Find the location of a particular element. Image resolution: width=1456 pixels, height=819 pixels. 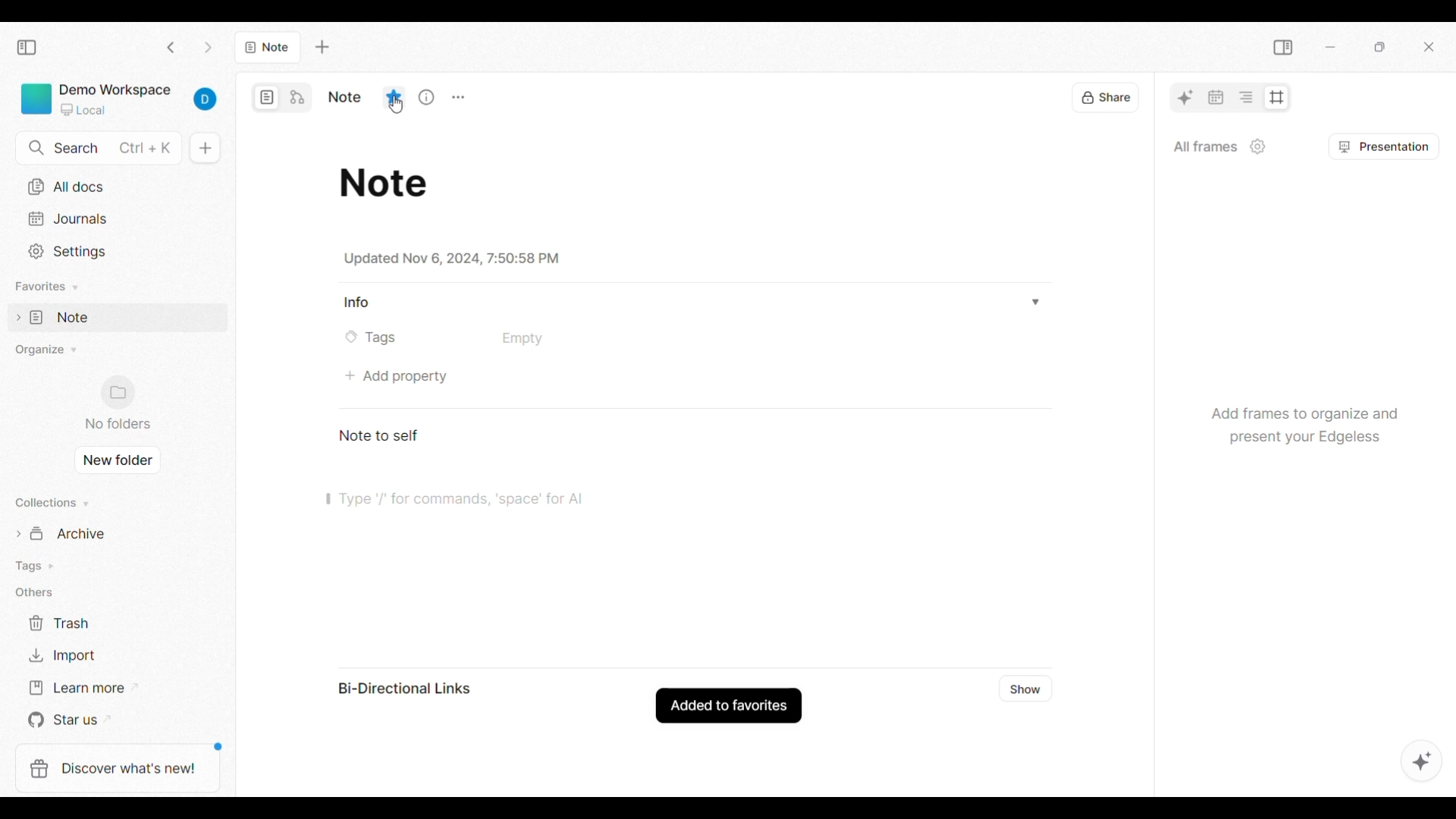

Favorite icon highlighted after being selected is located at coordinates (394, 97).